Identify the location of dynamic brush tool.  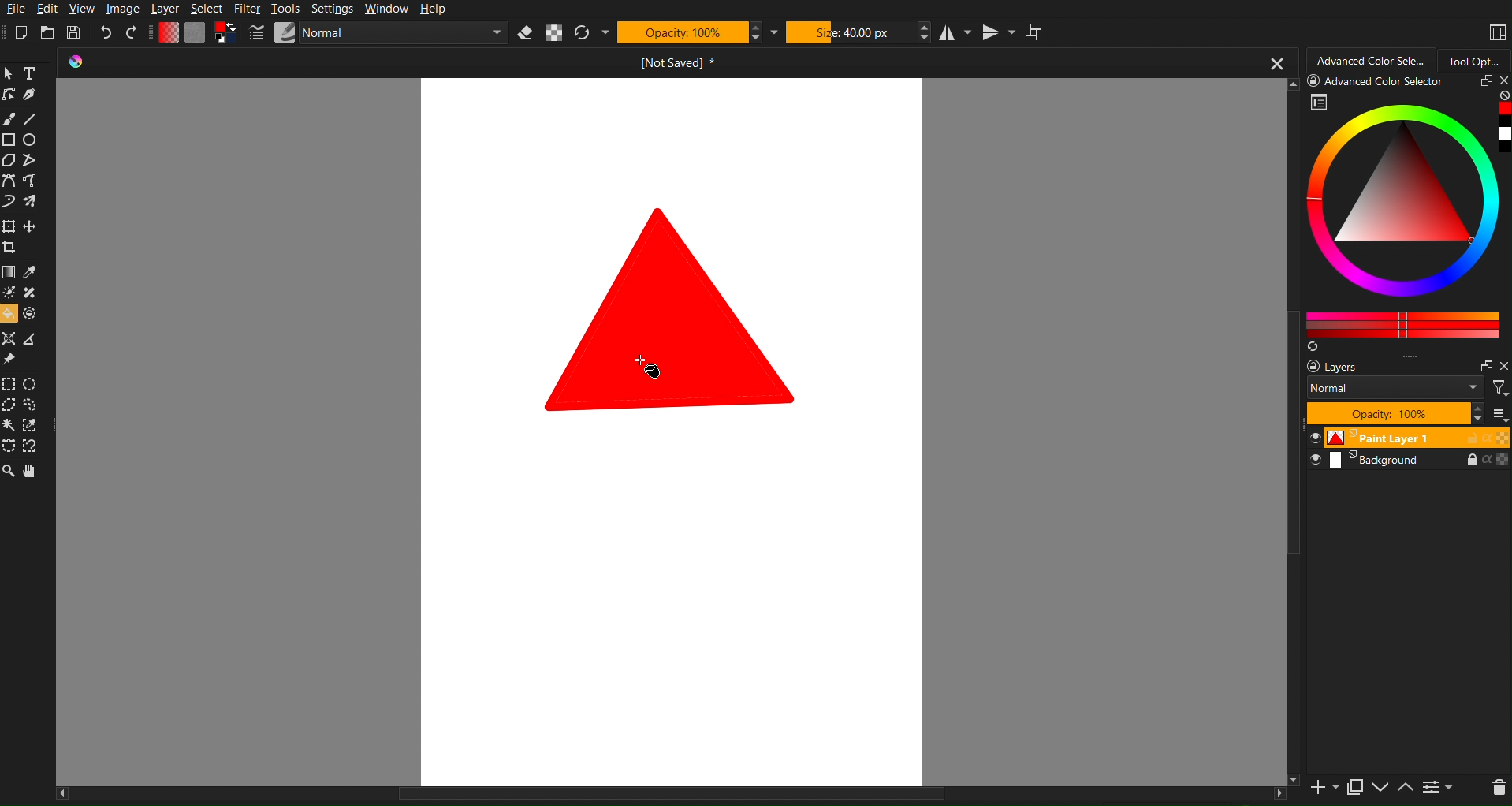
(9, 203).